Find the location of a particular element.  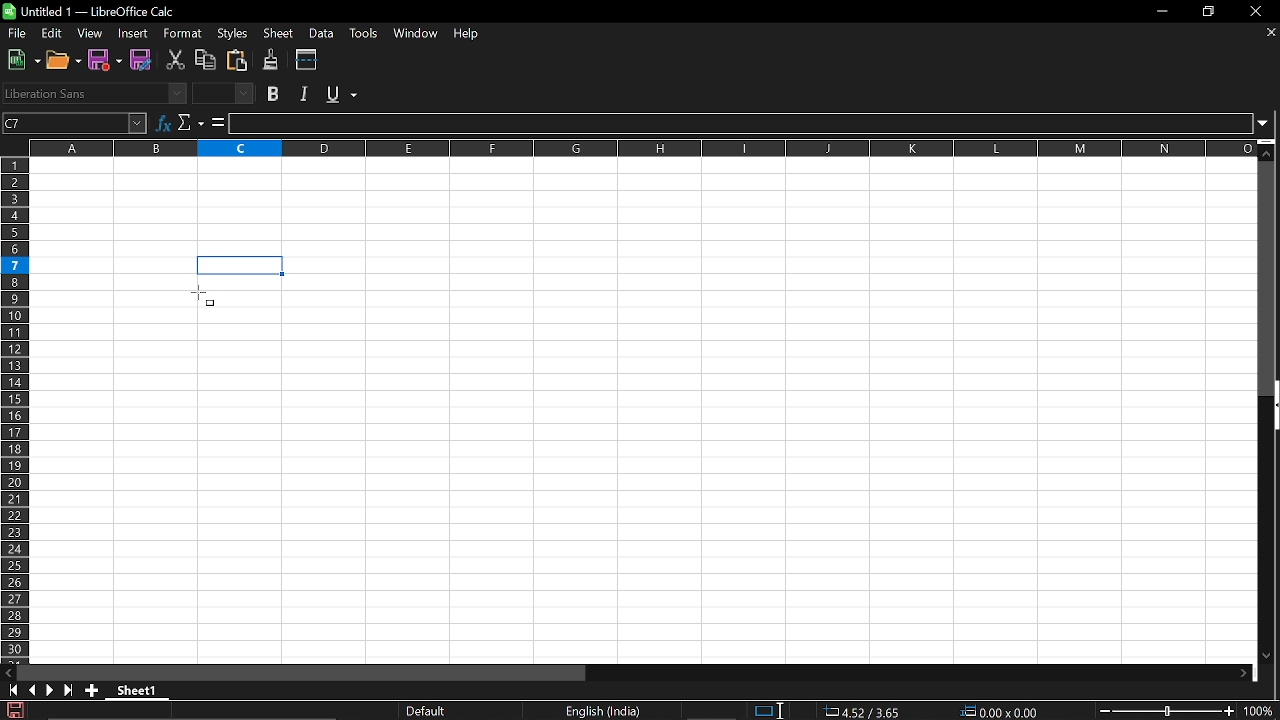

Change Zoom is located at coordinates (1168, 711).